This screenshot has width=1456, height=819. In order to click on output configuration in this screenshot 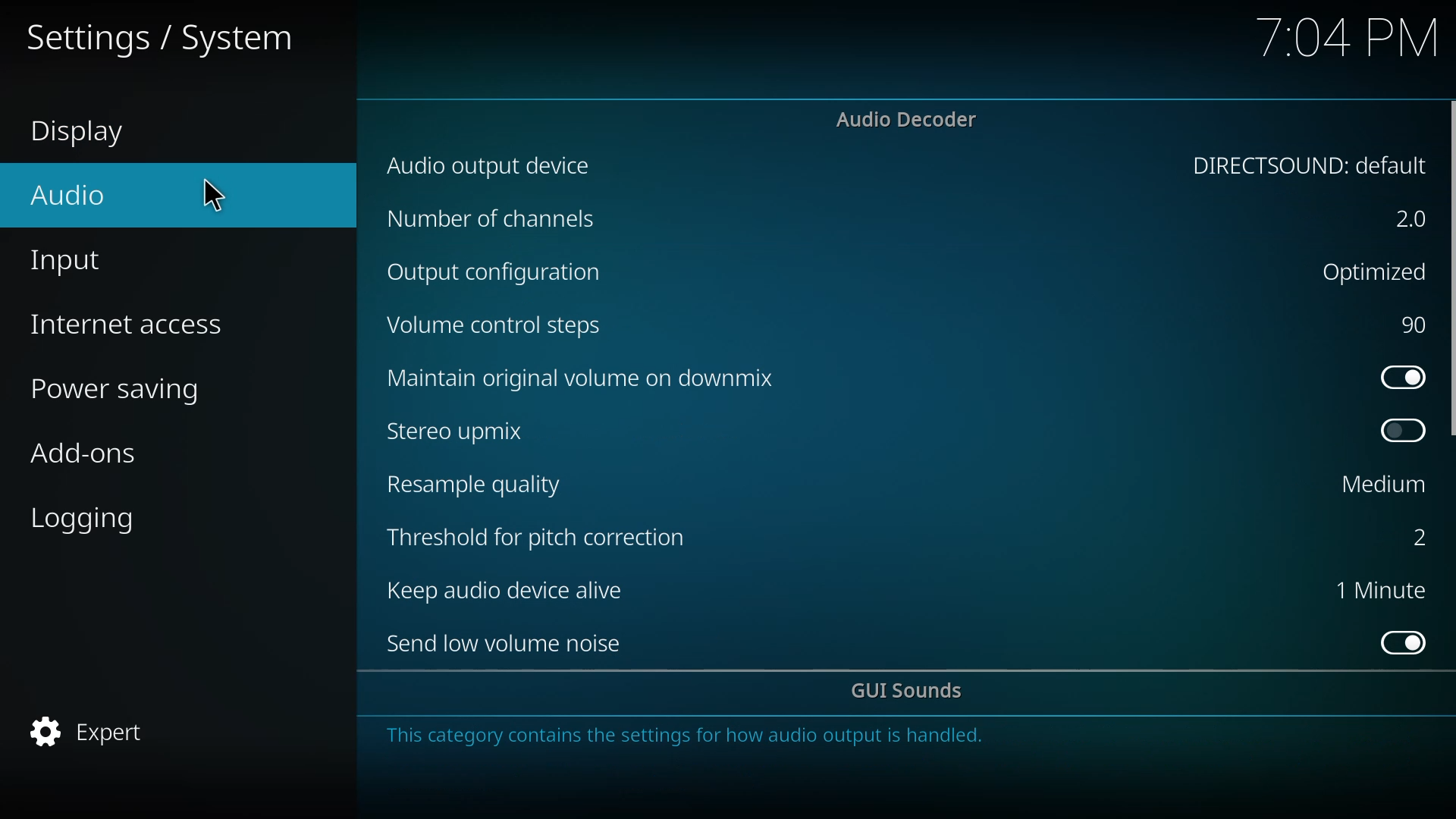, I will do `click(503, 275)`.